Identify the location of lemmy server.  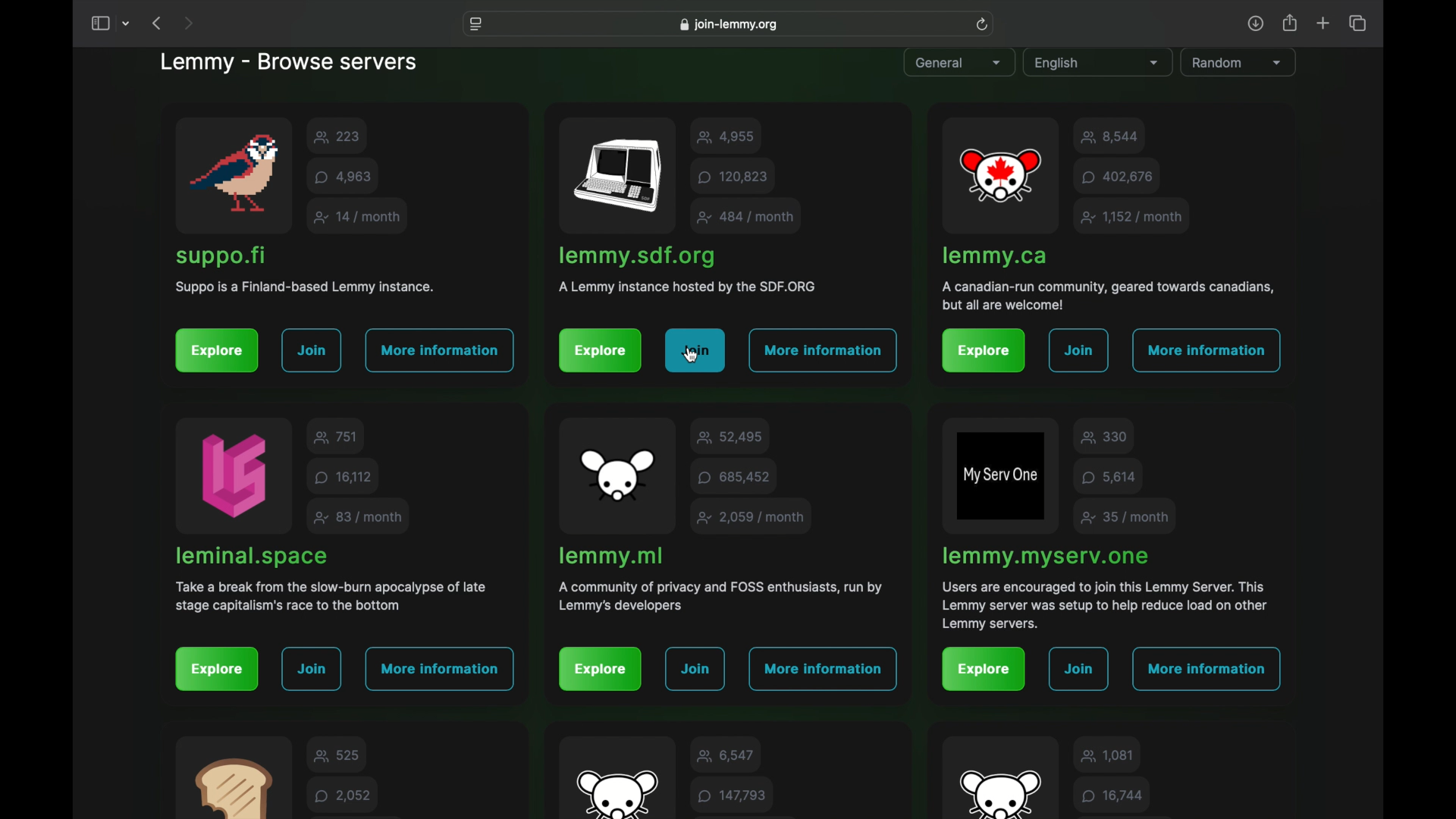
(252, 557).